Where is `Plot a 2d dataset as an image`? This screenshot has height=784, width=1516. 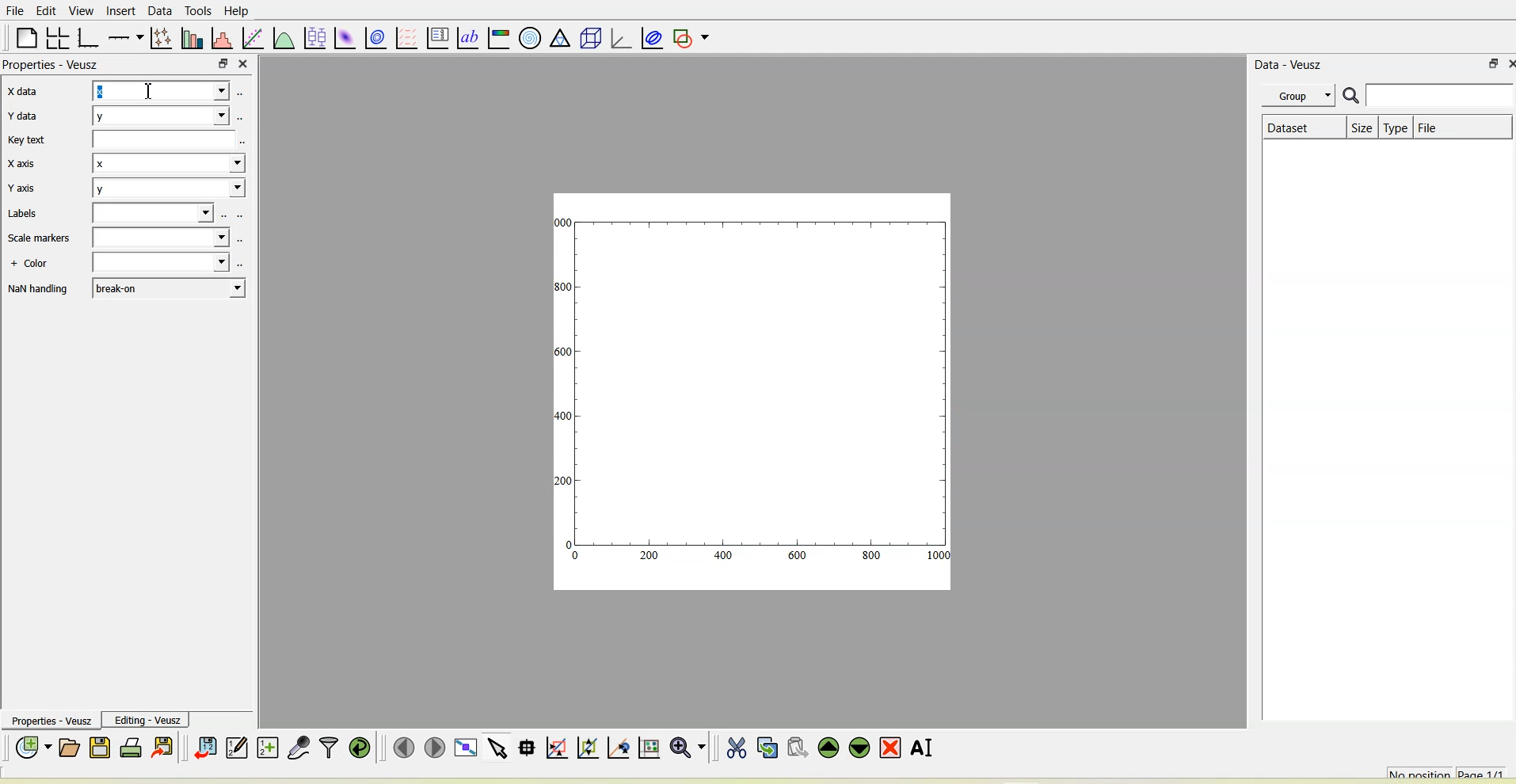 Plot a 2d dataset as an image is located at coordinates (345, 36).